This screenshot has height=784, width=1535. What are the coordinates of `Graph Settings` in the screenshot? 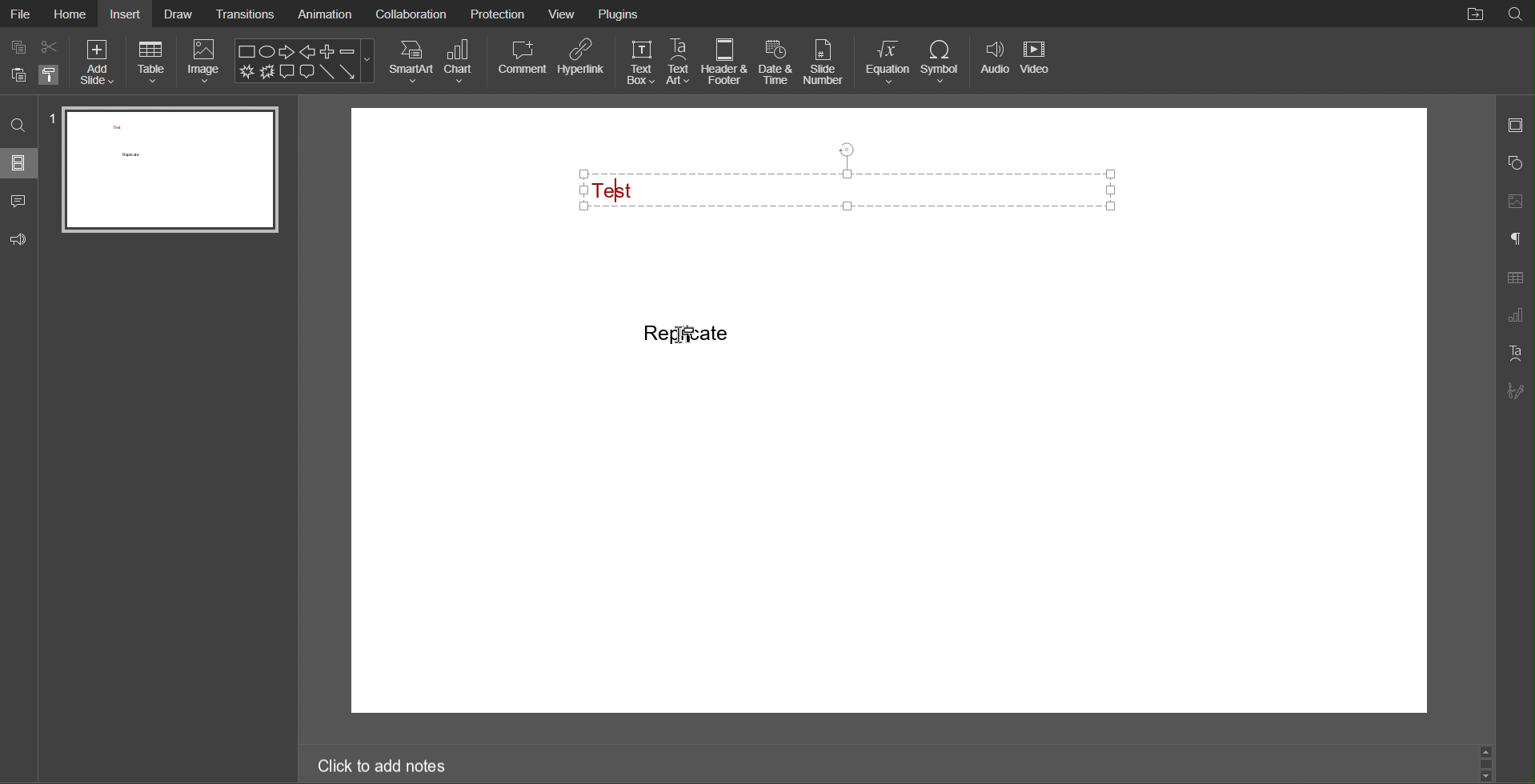 It's located at (1514, 316).